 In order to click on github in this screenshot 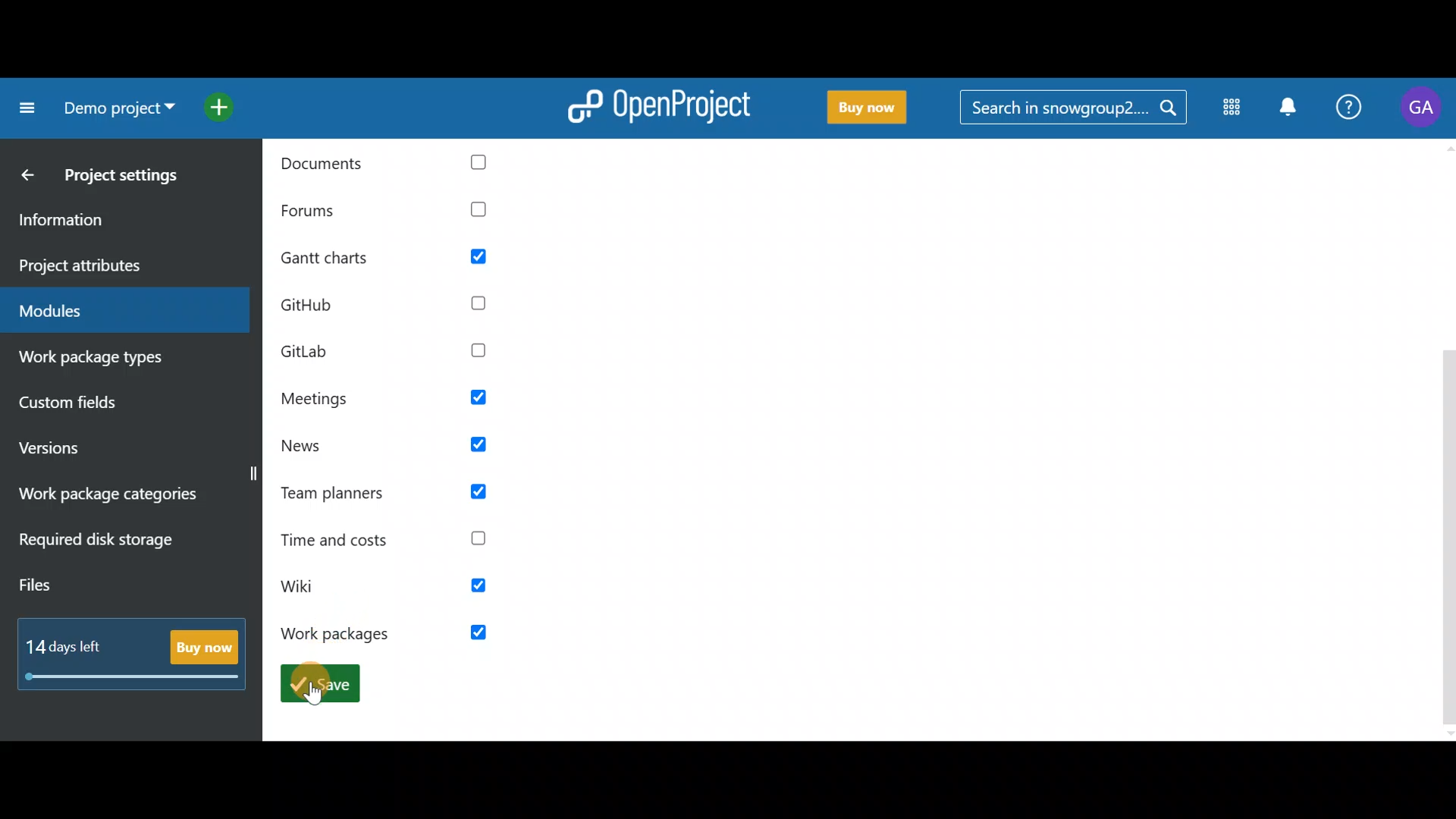, I will do `click(397, 307)`.